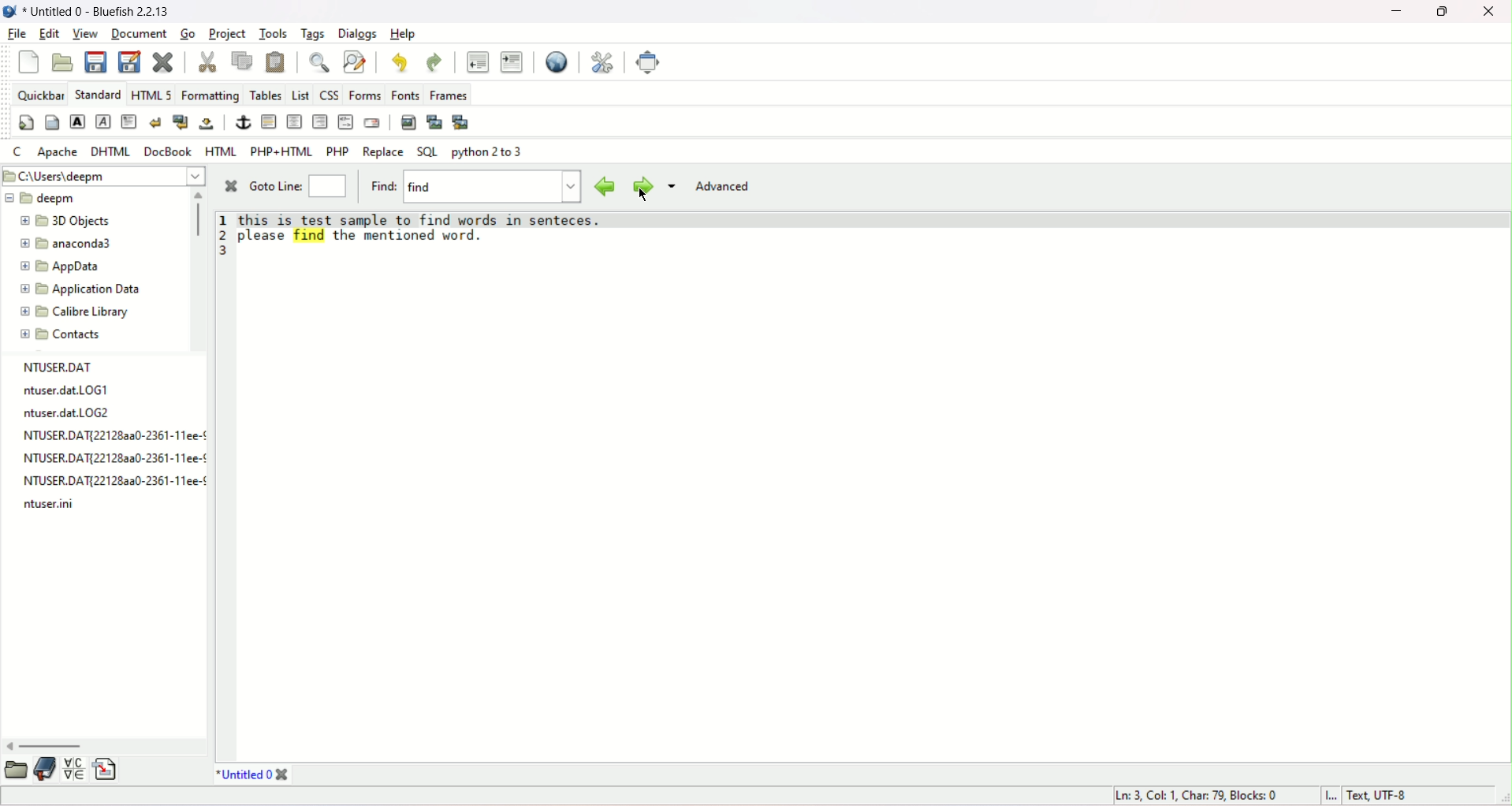 This screenshot has height=806, width=1512. Describe the element at coordinates (346, 123) in the screenshot. I see `HTML comment` at that location.